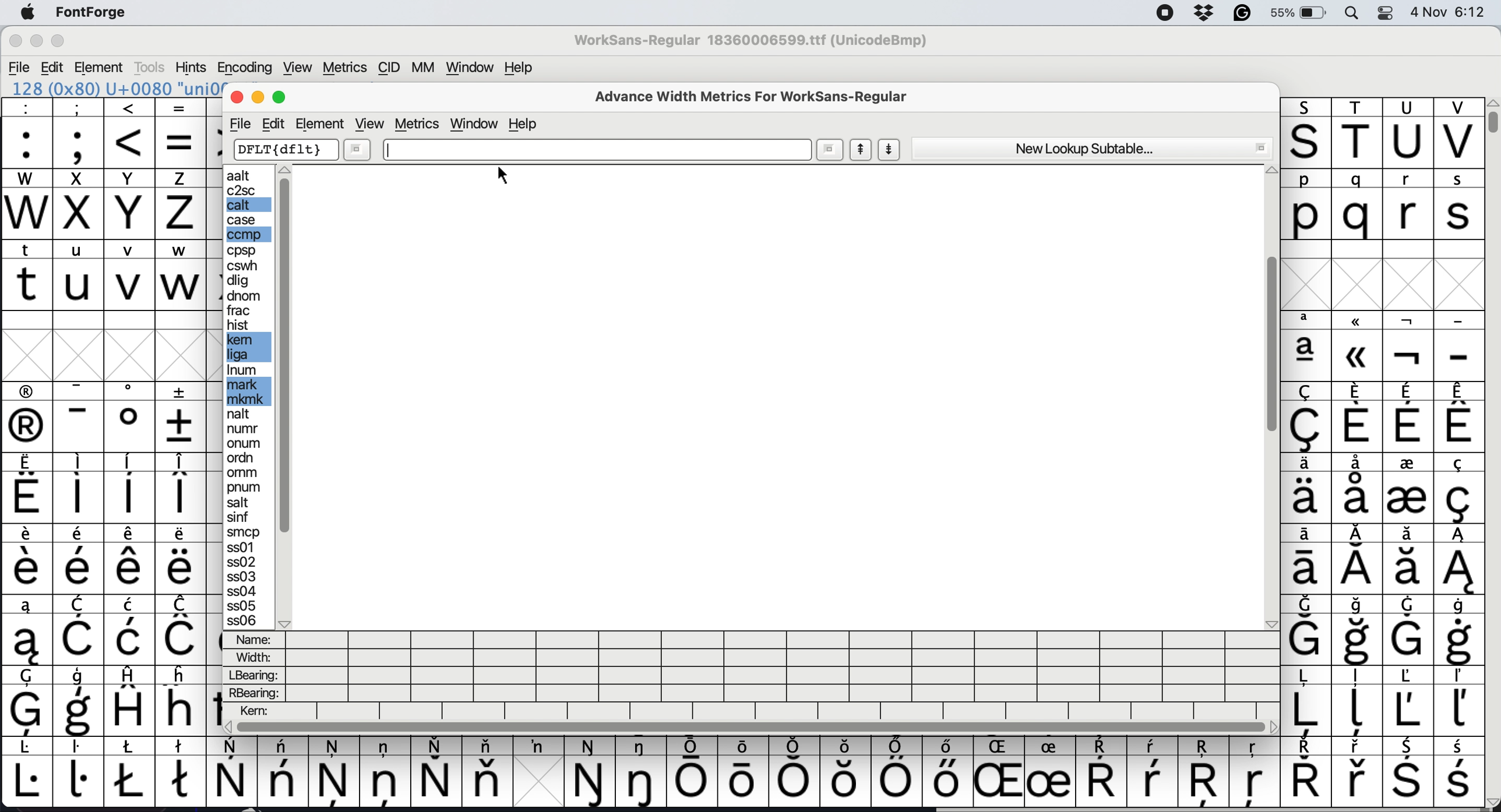  I want to click on File, so click(20, 65).